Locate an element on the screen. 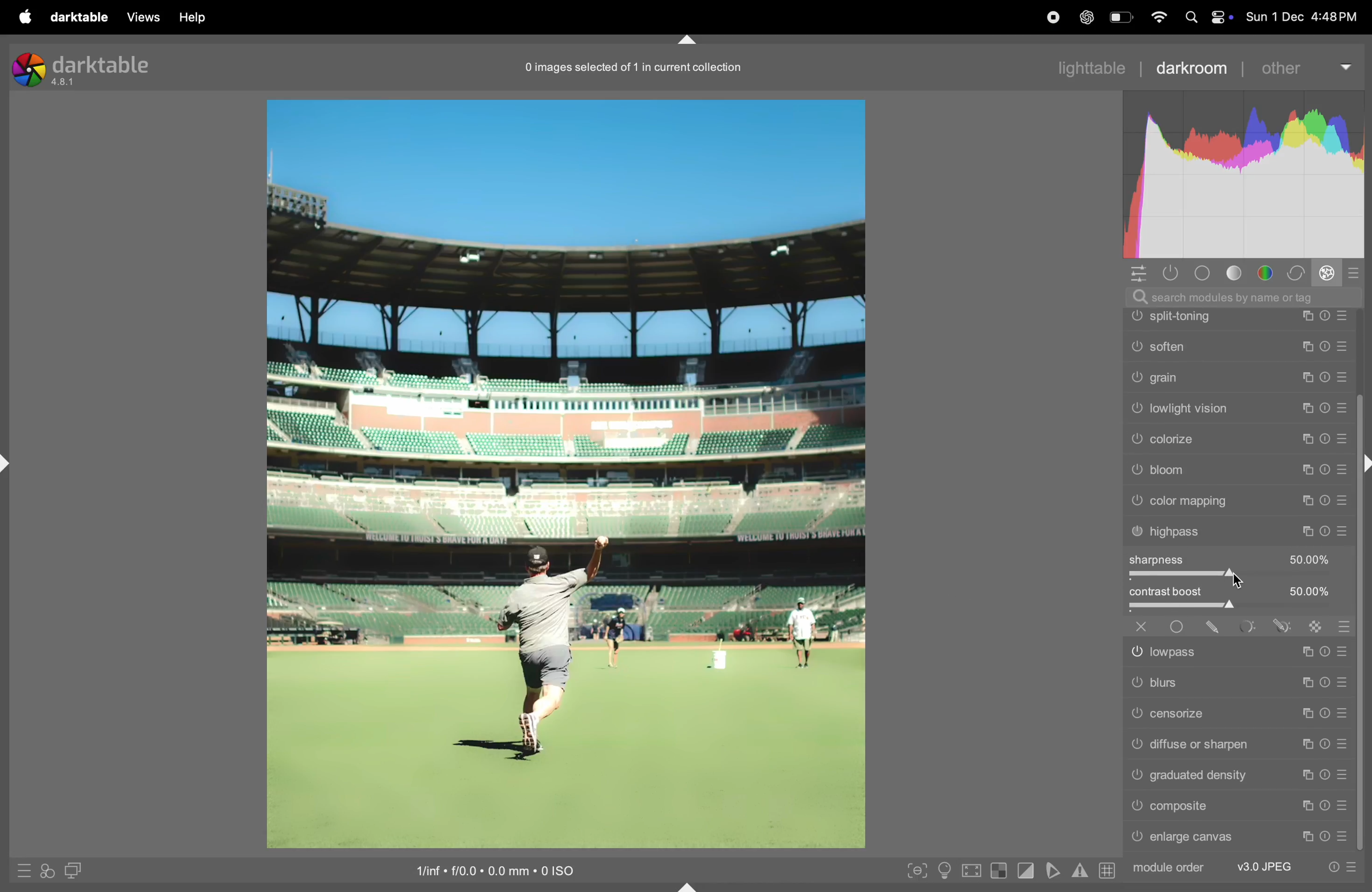 The height and width of the screenshot is (892, 1372). help is located at coordinates (191, 17).